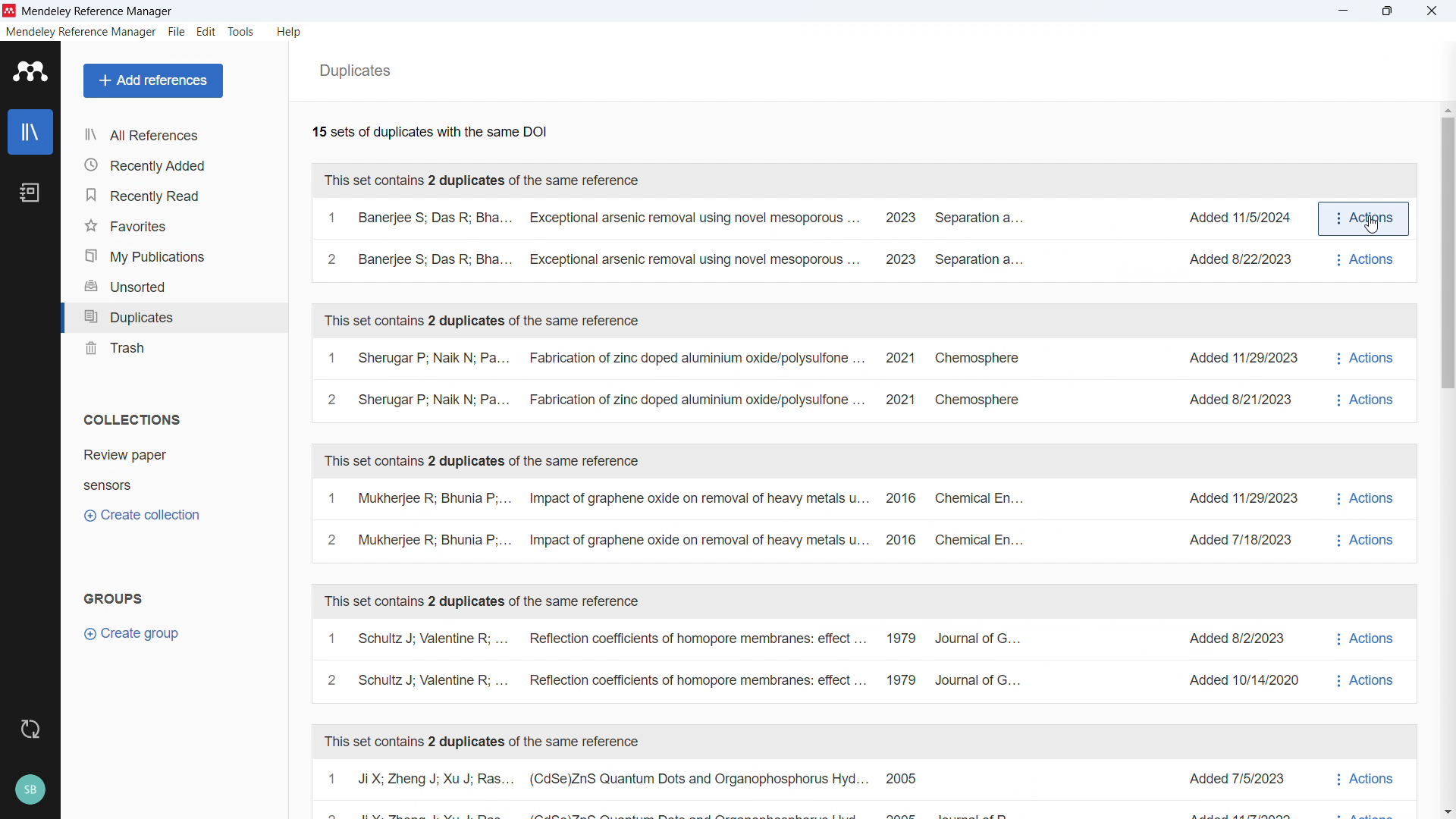 Image resolution: width=1456 pixels, height=819 pixels. Describe the element at coordinates (30, 727) in the screenshot. I see `Sync ` at that location.